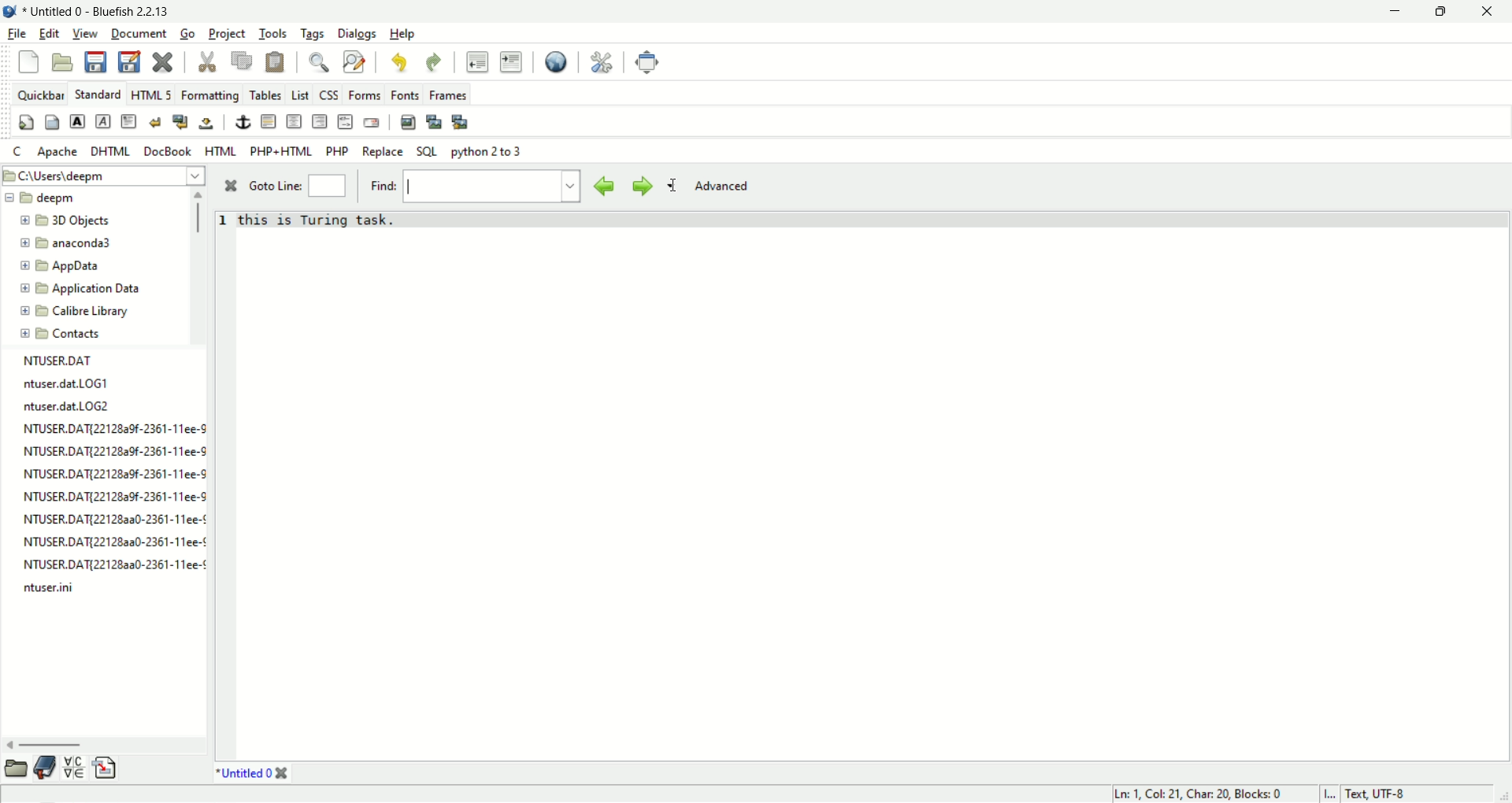  Describe the element at coordinates (41, 95) in the screenshot. I see `quickbar` at that location.